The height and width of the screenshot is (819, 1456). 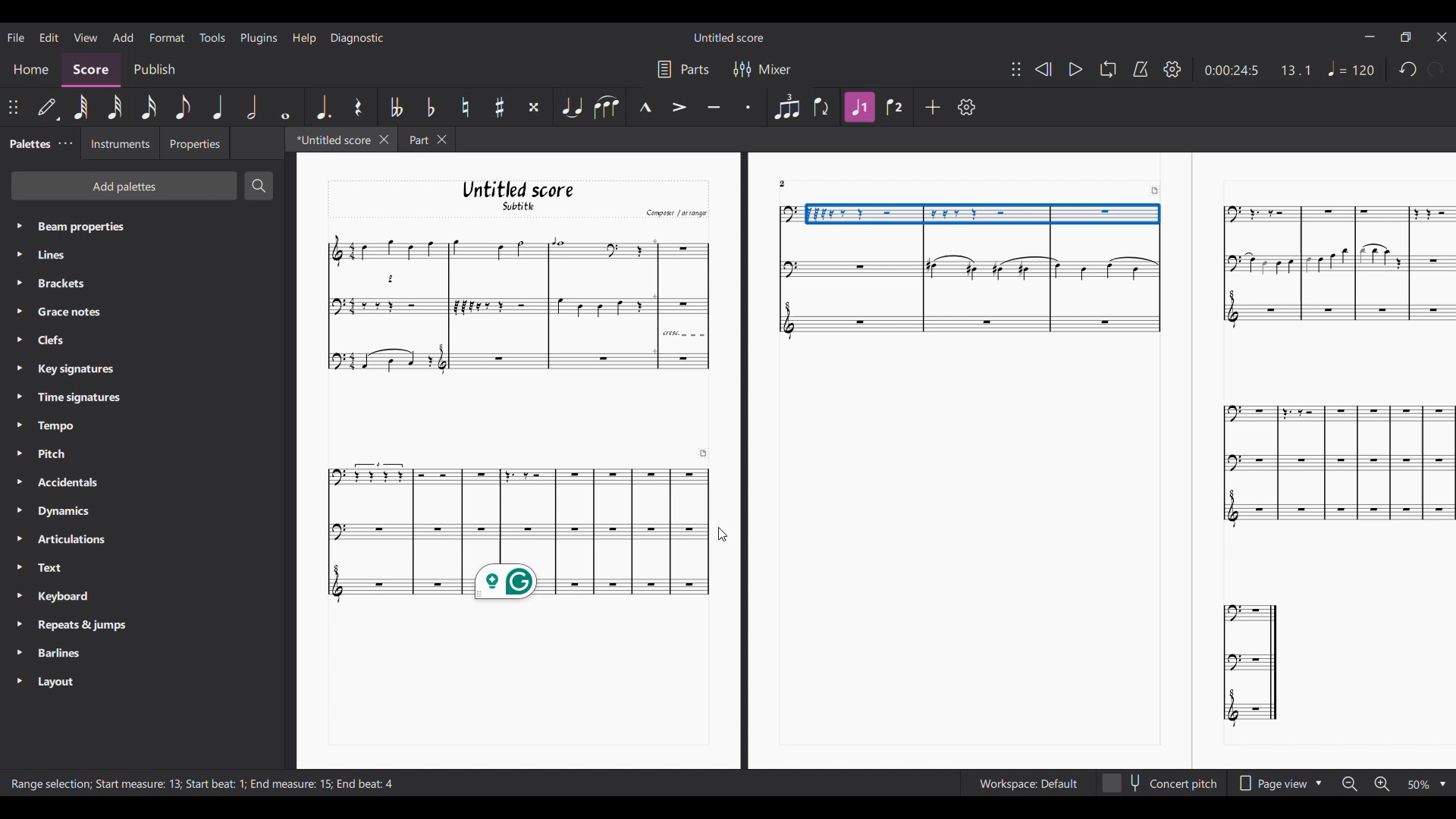 I want to click on Toggle sharp, so click(x=500, y=107).